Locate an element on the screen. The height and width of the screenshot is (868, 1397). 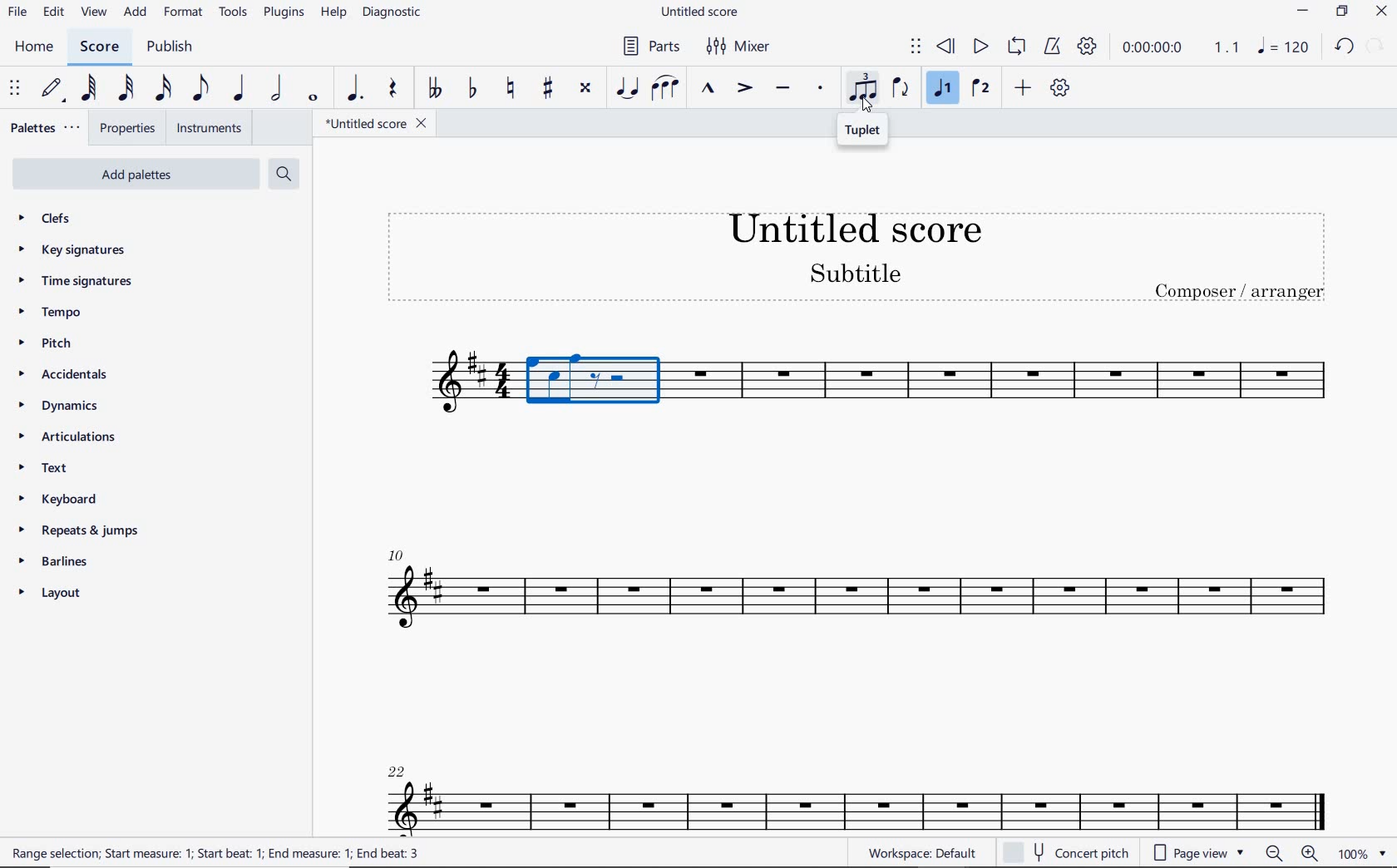
FLIP DIRECTION is located at coordinates (904, 90).